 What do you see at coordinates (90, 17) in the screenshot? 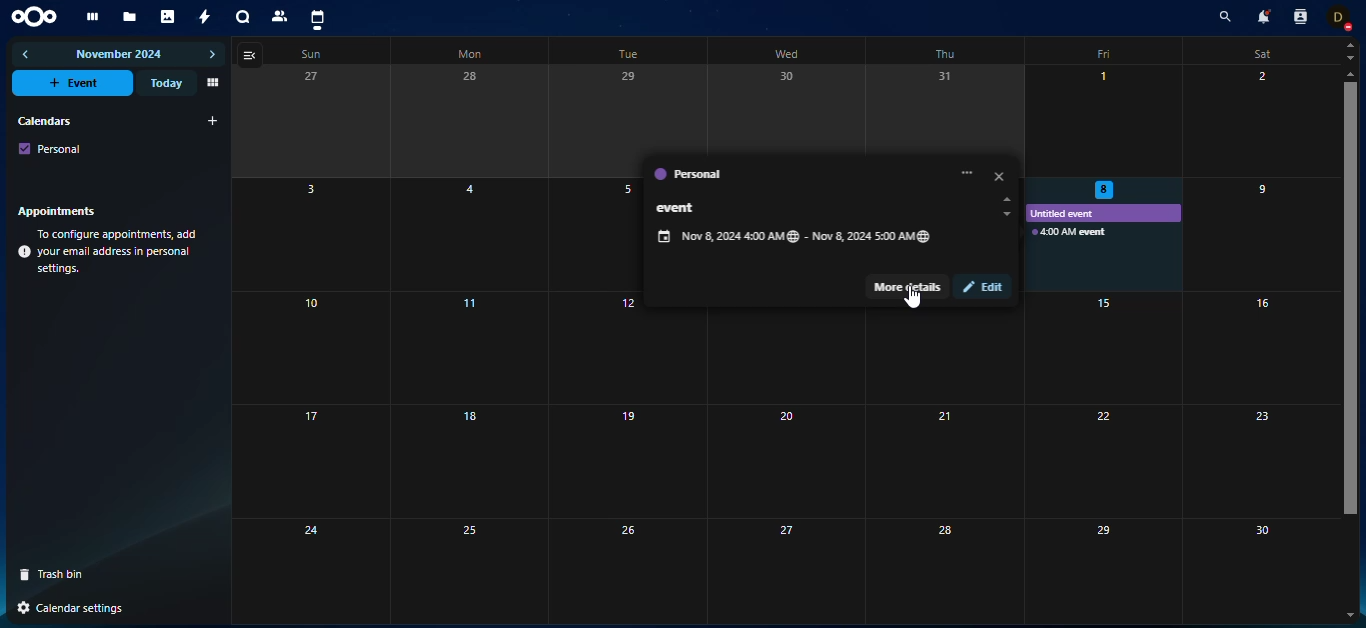
I see `dashboard` at bounding box center [90, 17].